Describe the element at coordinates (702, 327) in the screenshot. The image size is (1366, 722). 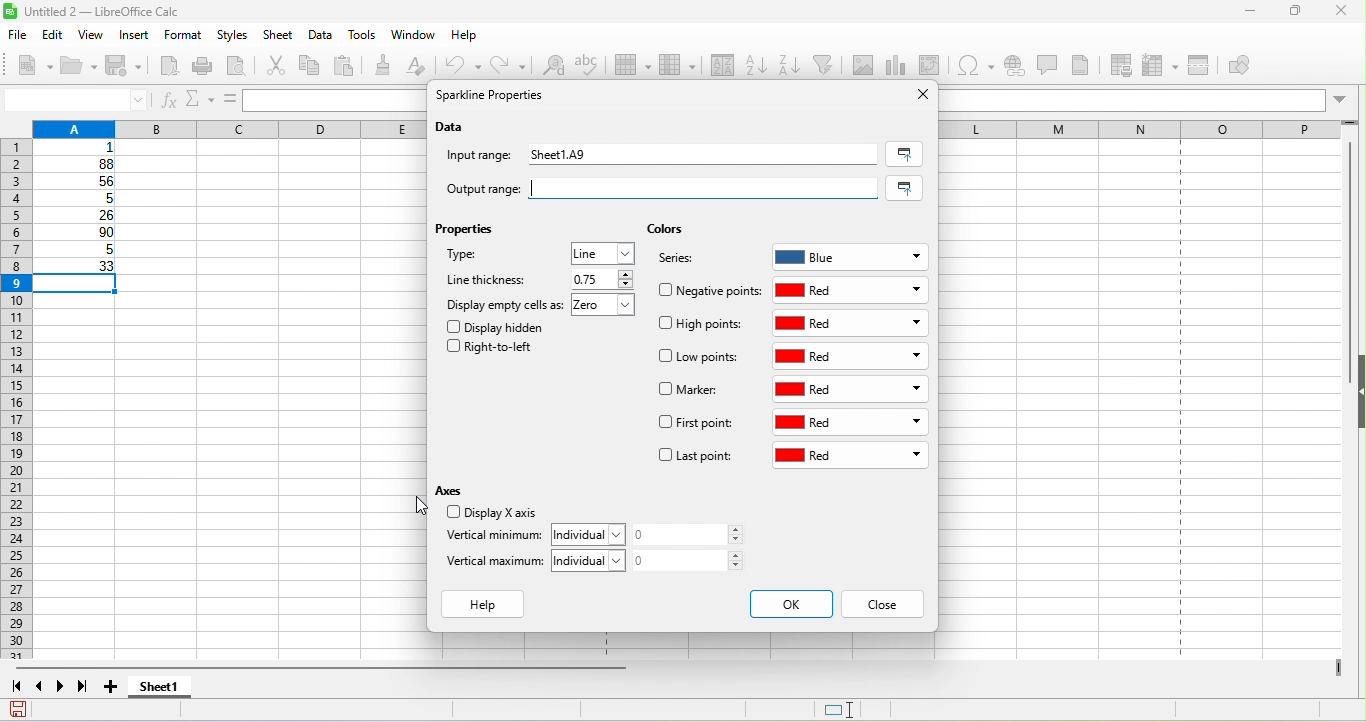
I see `high points` at that location.